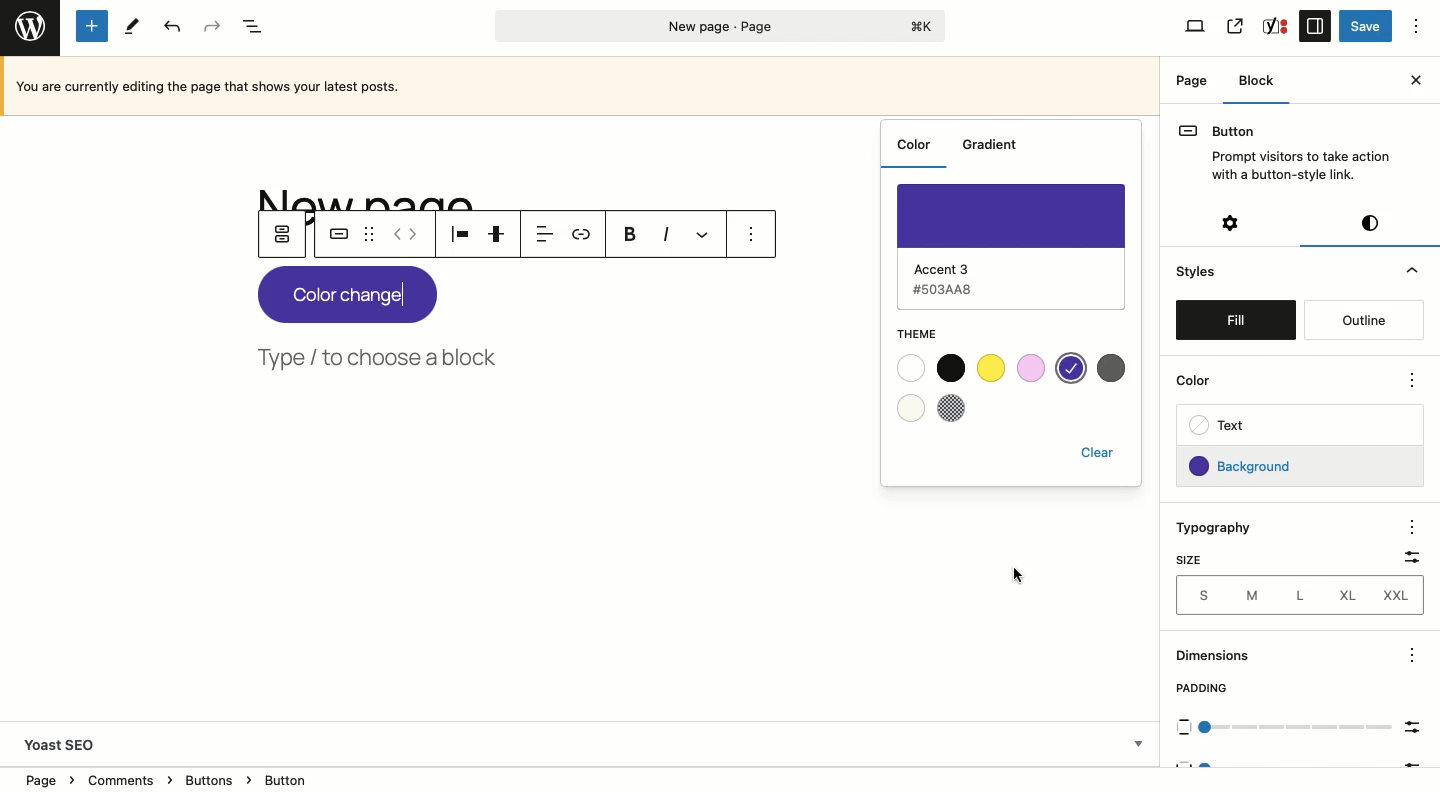 Image resolution: width=1440 pixels, height=792 pixels. I want to click on Styles, so click(1202, 272).